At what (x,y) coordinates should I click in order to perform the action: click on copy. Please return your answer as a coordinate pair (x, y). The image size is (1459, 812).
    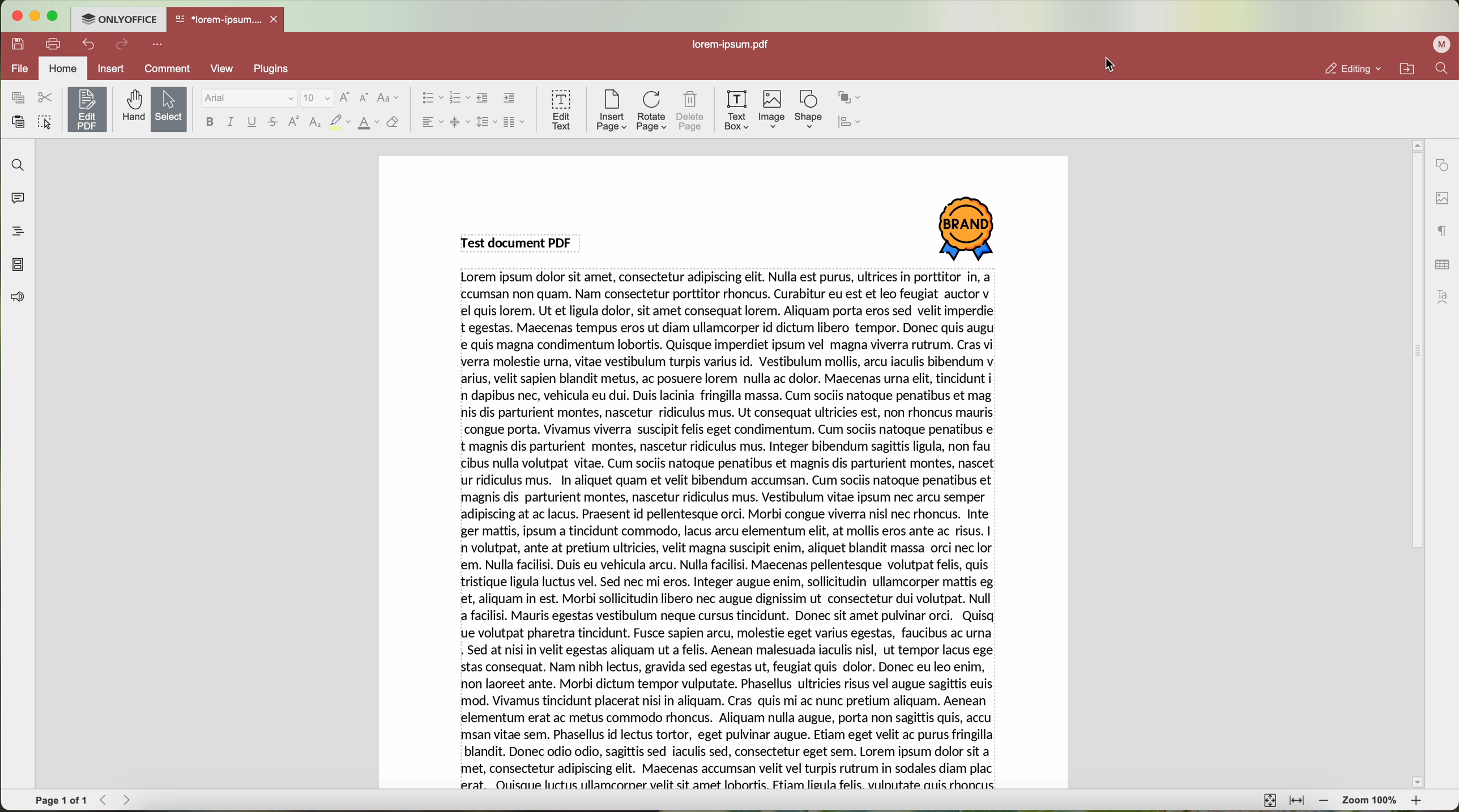
    Looking at the image, I should click on (18, 98).